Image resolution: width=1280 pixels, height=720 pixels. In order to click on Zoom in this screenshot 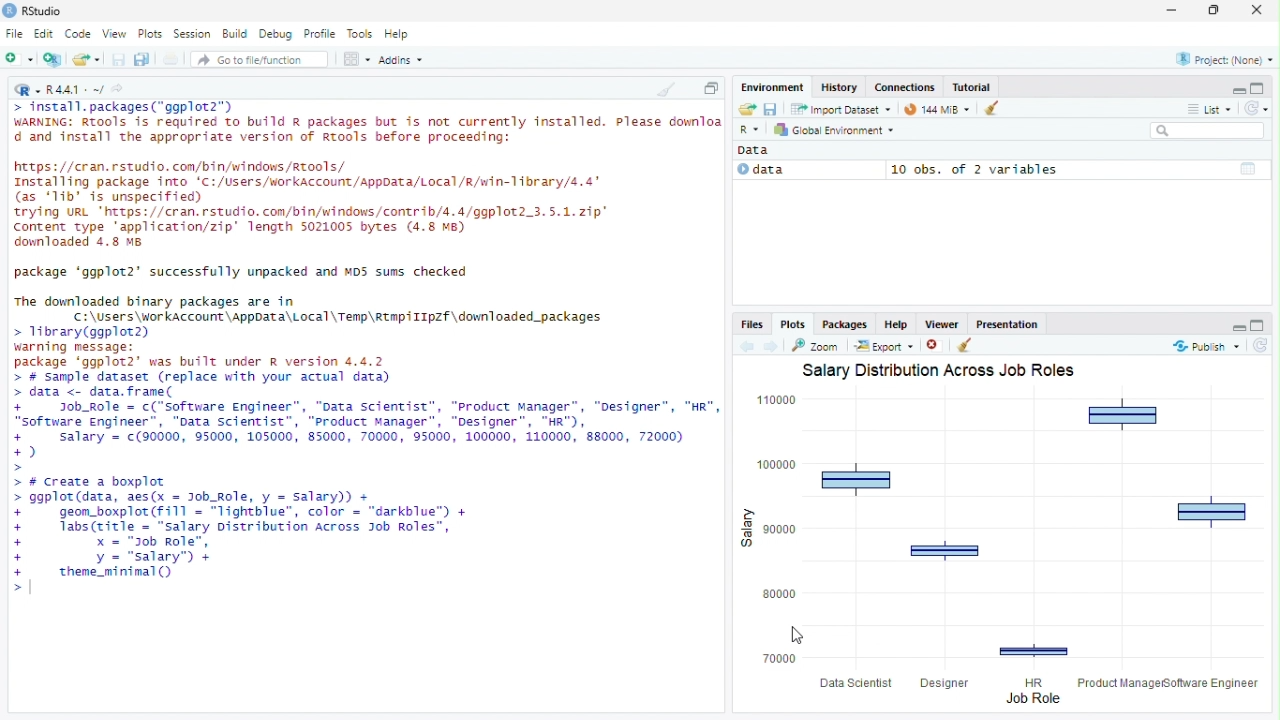, I will do `click(817, 345)`.